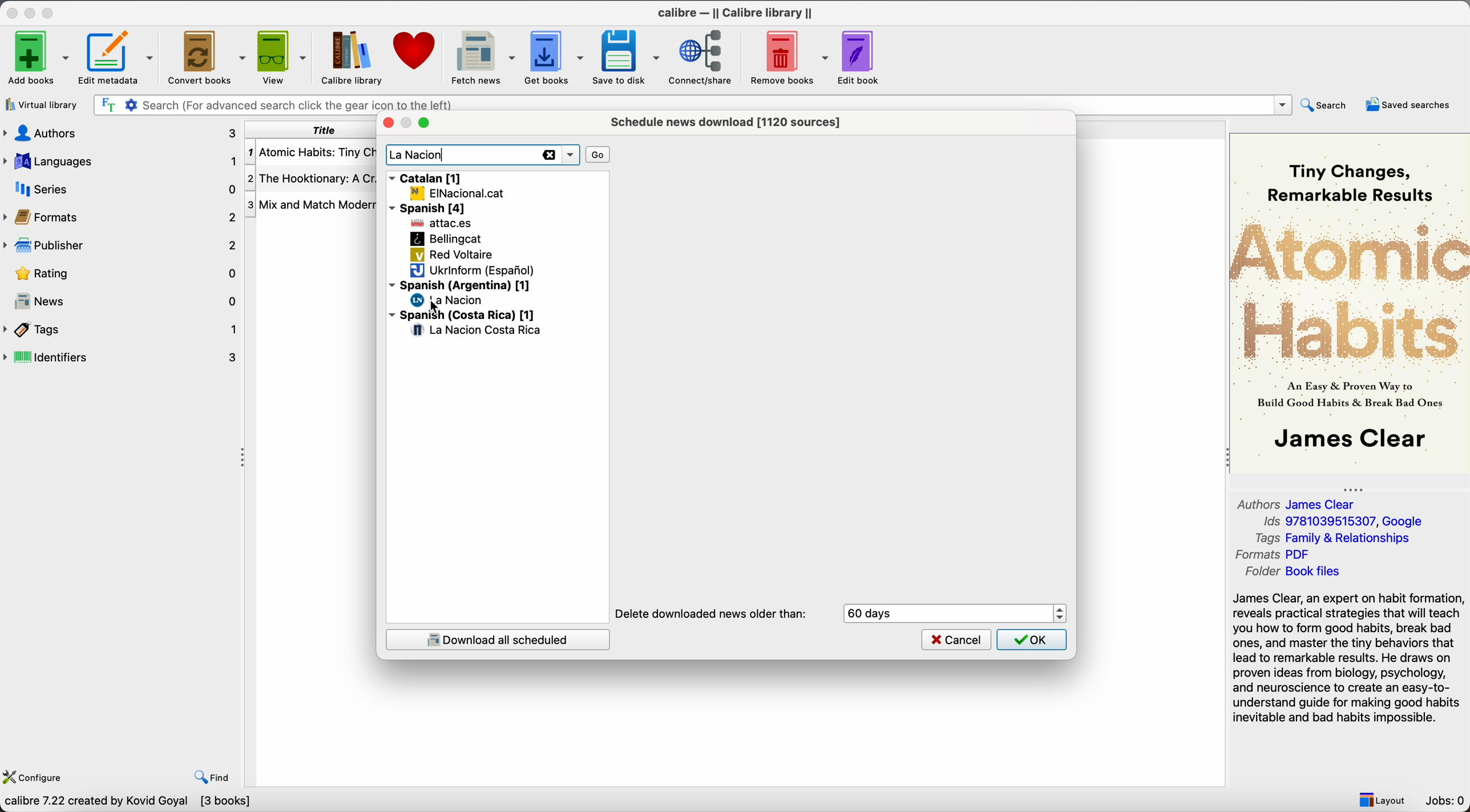  What do you see at coordinates (351, 57) in the screenshot?
I see `Calibre library` at bounding box center [351, 57].